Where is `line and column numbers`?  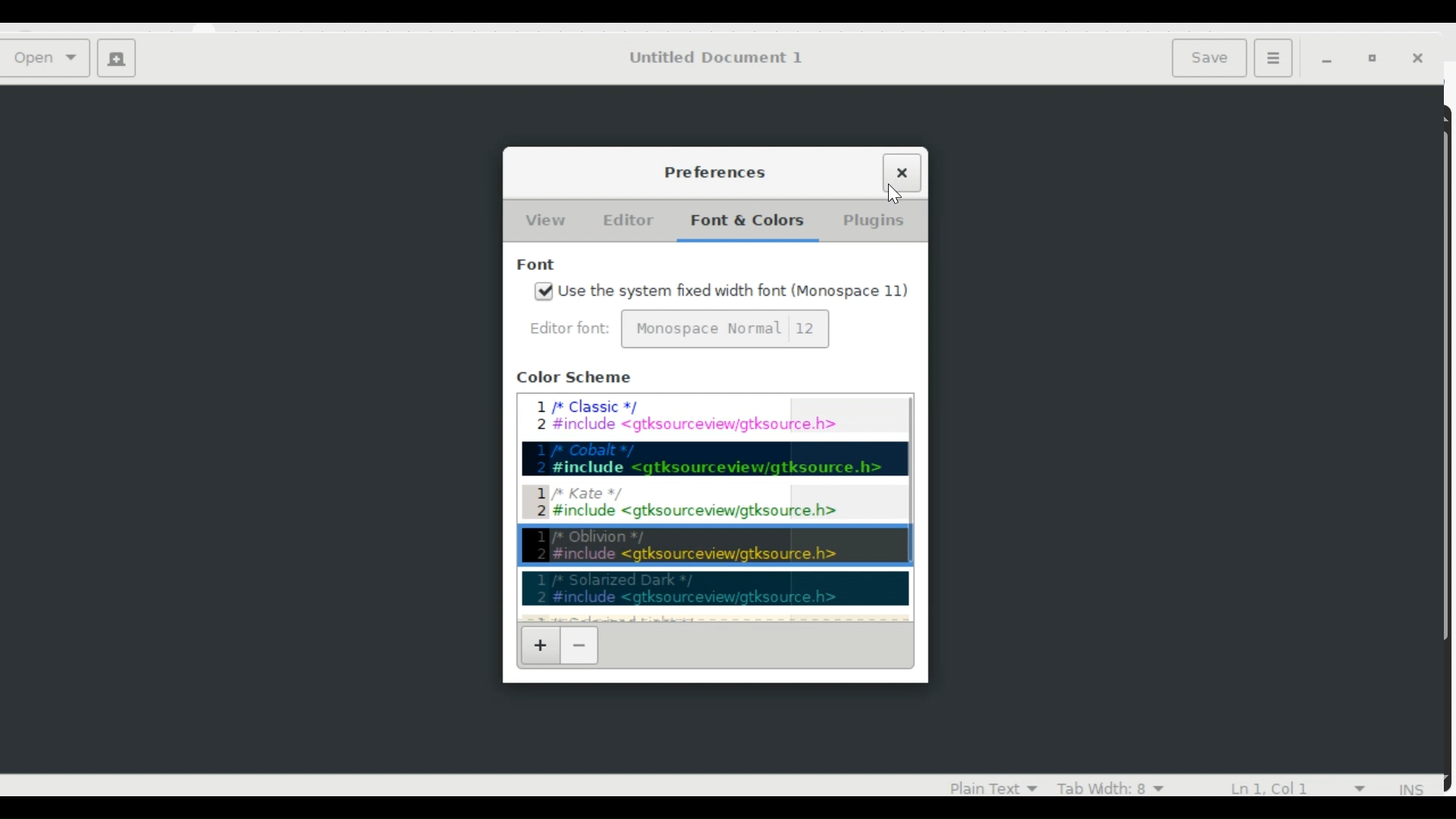
line and column numbers is located at coordinates (1302, 786).